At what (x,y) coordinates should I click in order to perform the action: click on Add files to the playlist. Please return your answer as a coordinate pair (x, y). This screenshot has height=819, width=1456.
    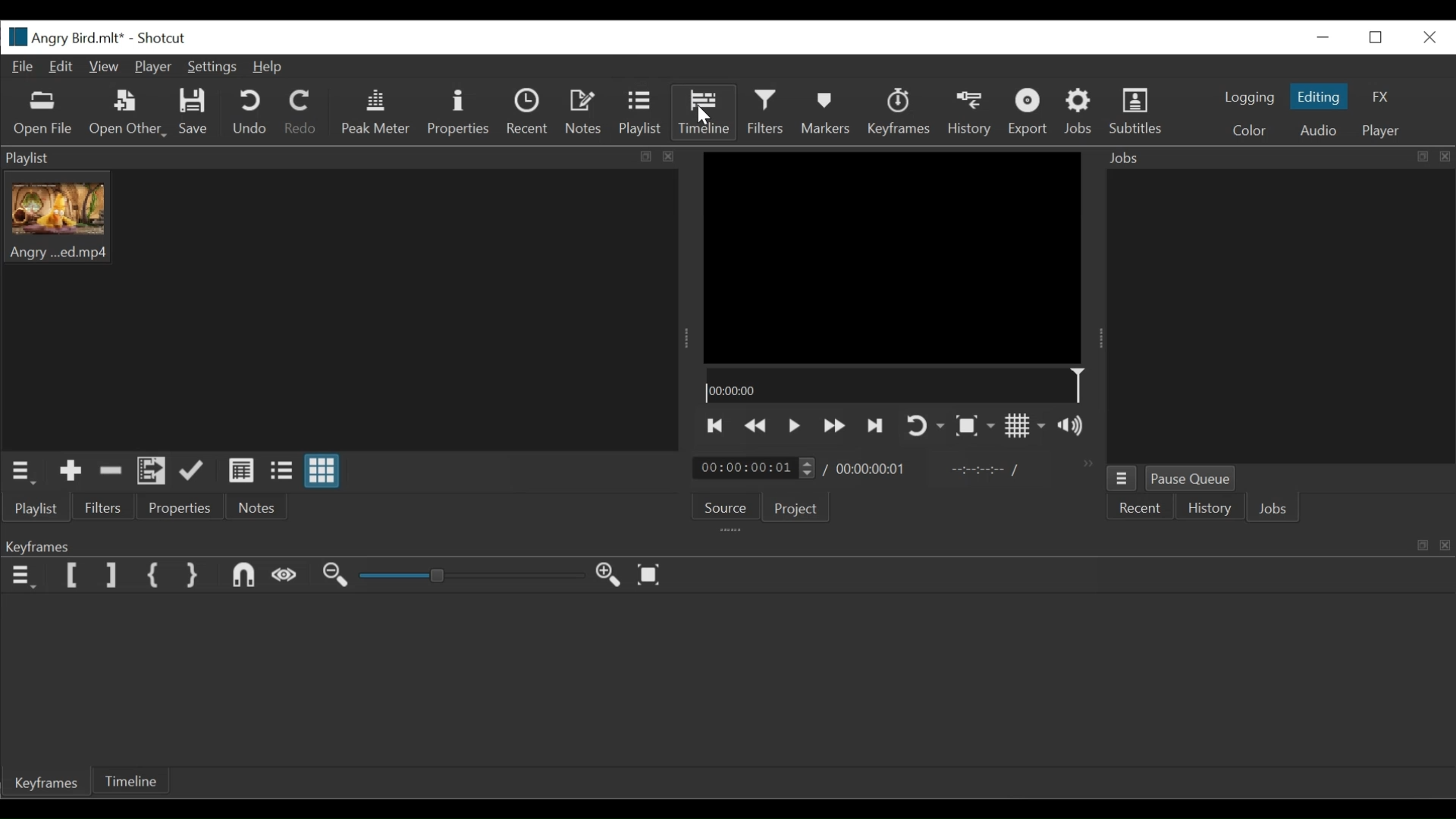
    Looking at the image, I should click on (151, 472).